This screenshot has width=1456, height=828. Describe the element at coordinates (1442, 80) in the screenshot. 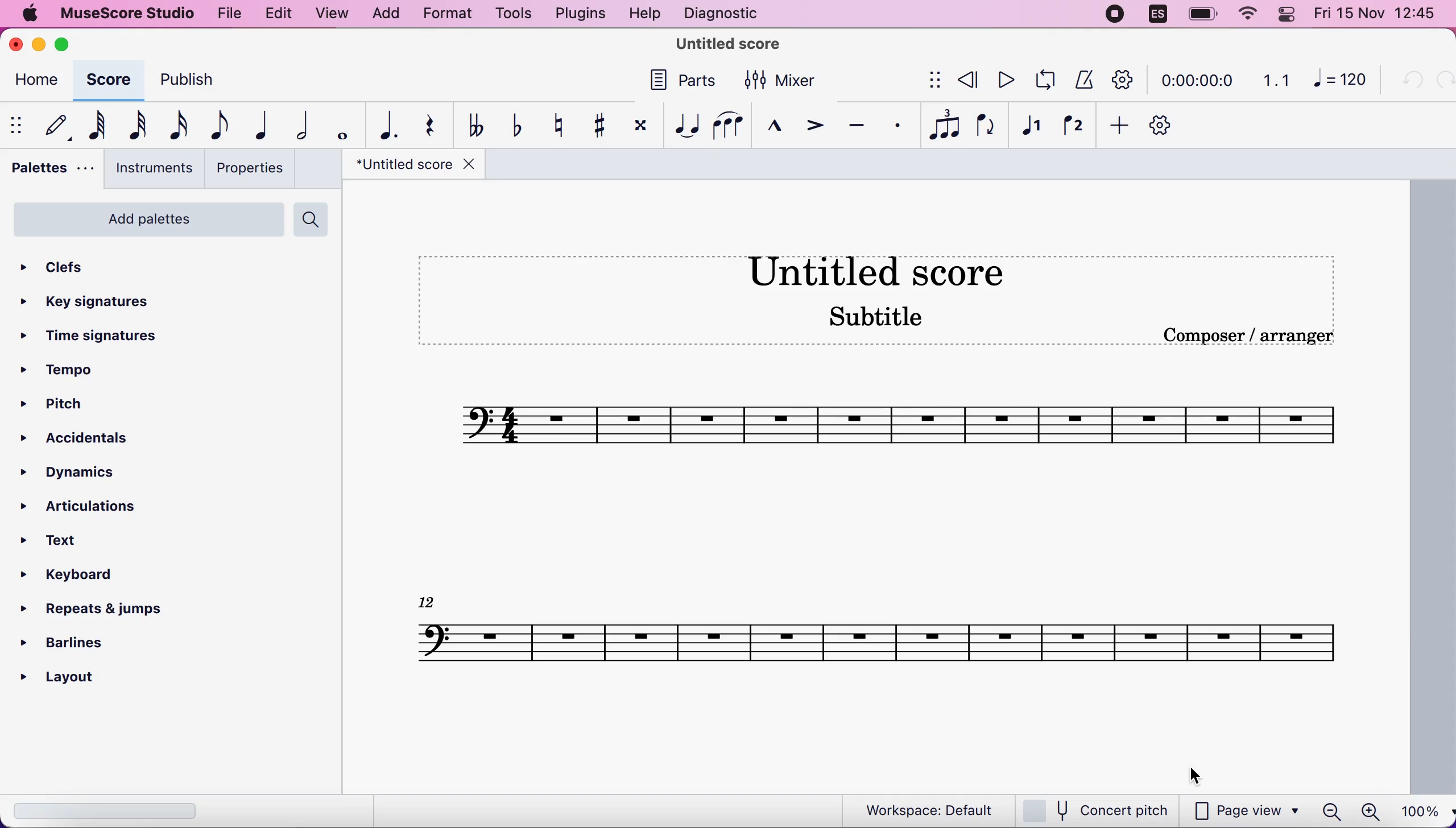

I see `redo` at that location.